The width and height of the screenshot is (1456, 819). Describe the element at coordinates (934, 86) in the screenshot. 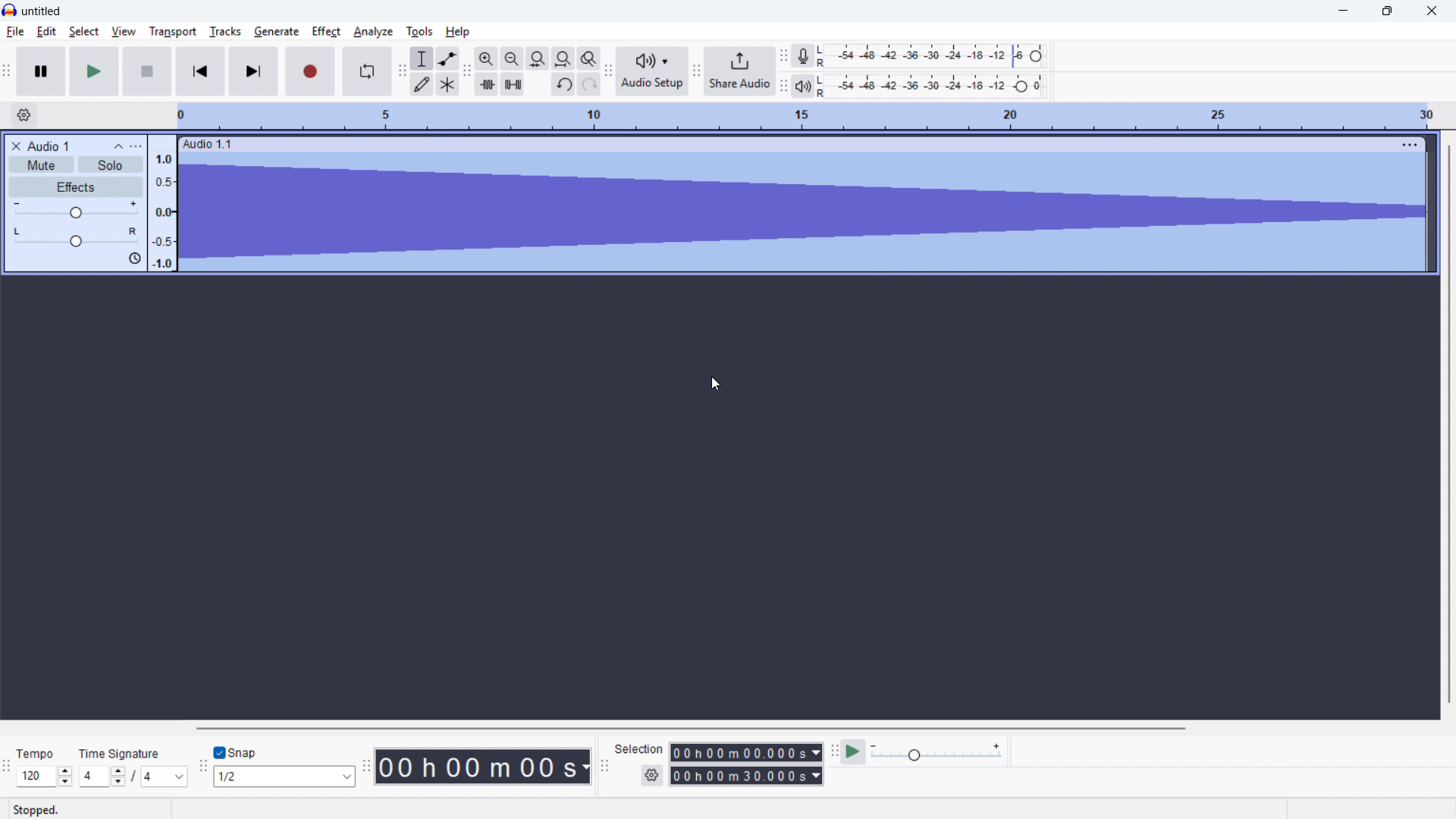

I see `Playback level` at that location.